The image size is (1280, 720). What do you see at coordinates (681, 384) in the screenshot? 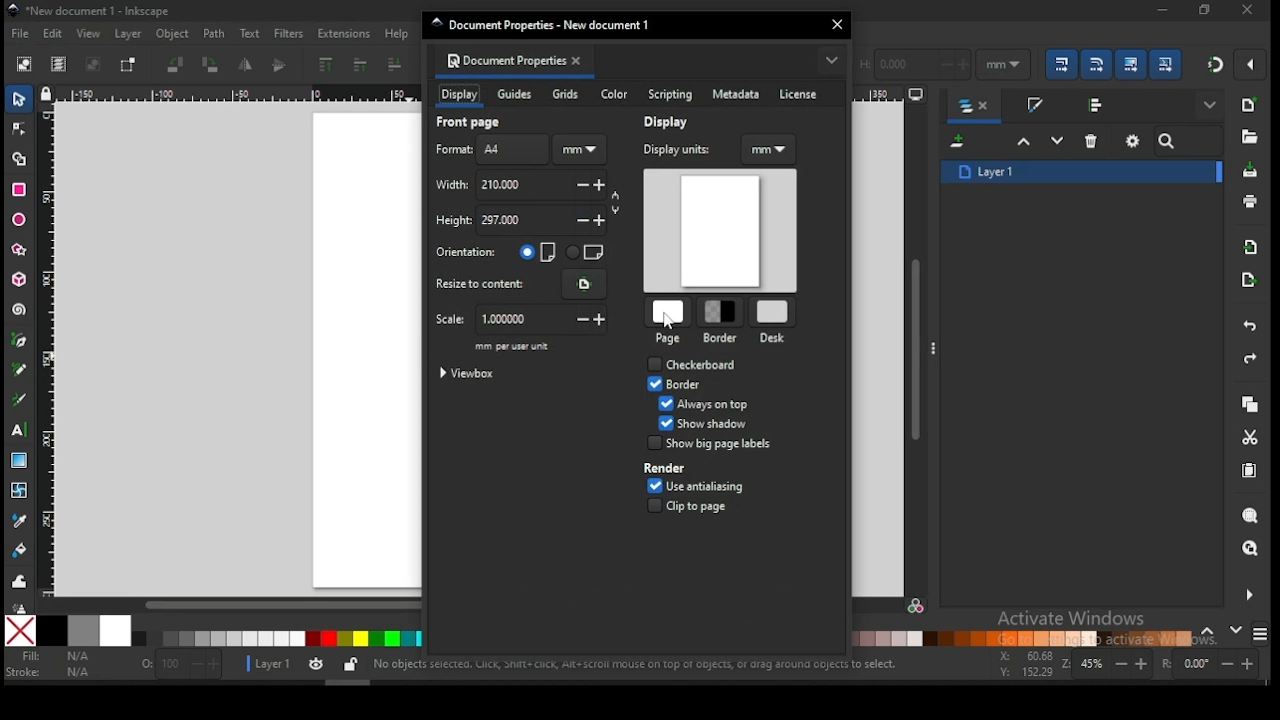
I see `border` at bounding box center [681, 384].